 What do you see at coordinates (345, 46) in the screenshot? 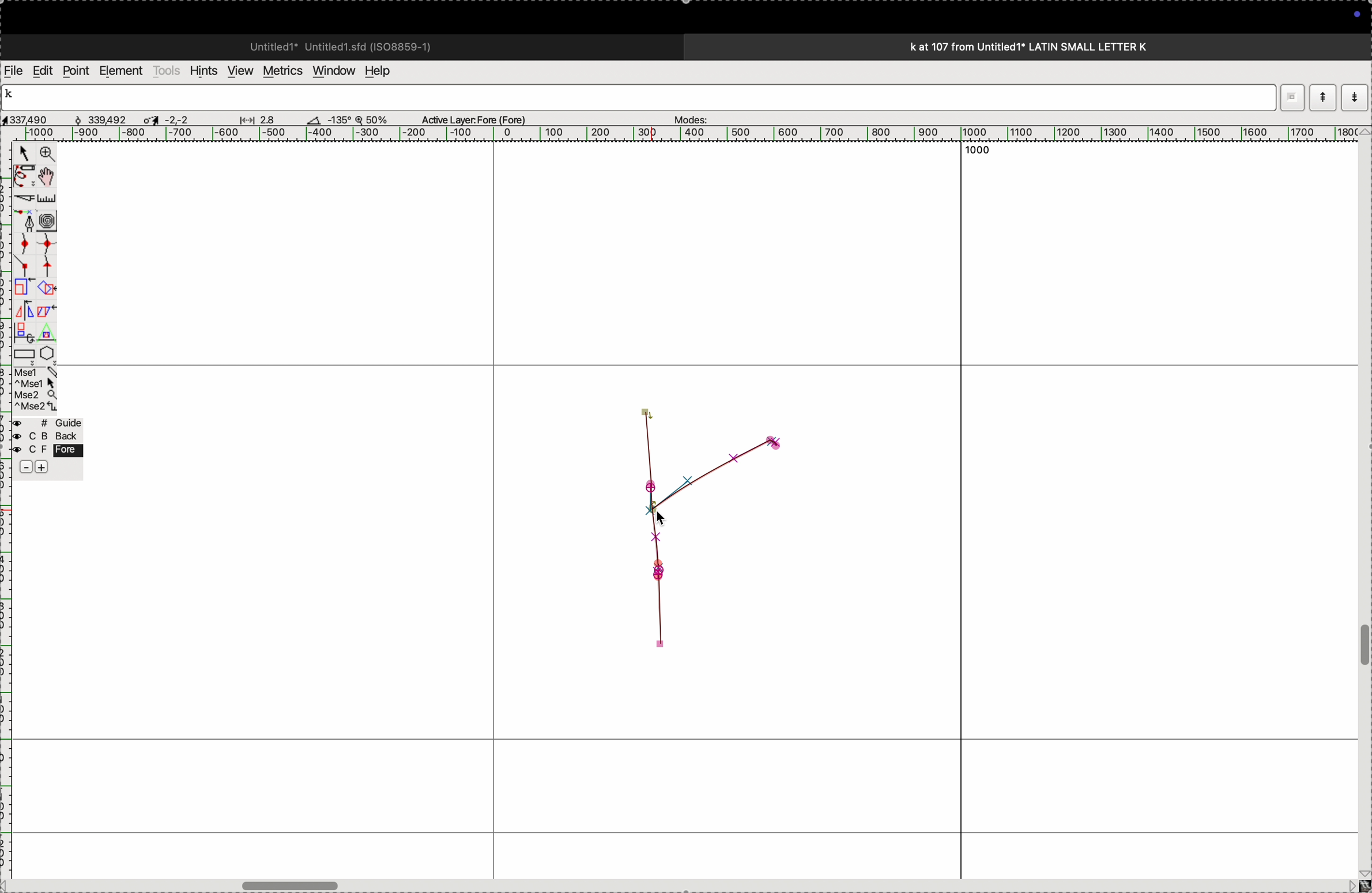
I see `untitled std` at bounding box center [345, 46].